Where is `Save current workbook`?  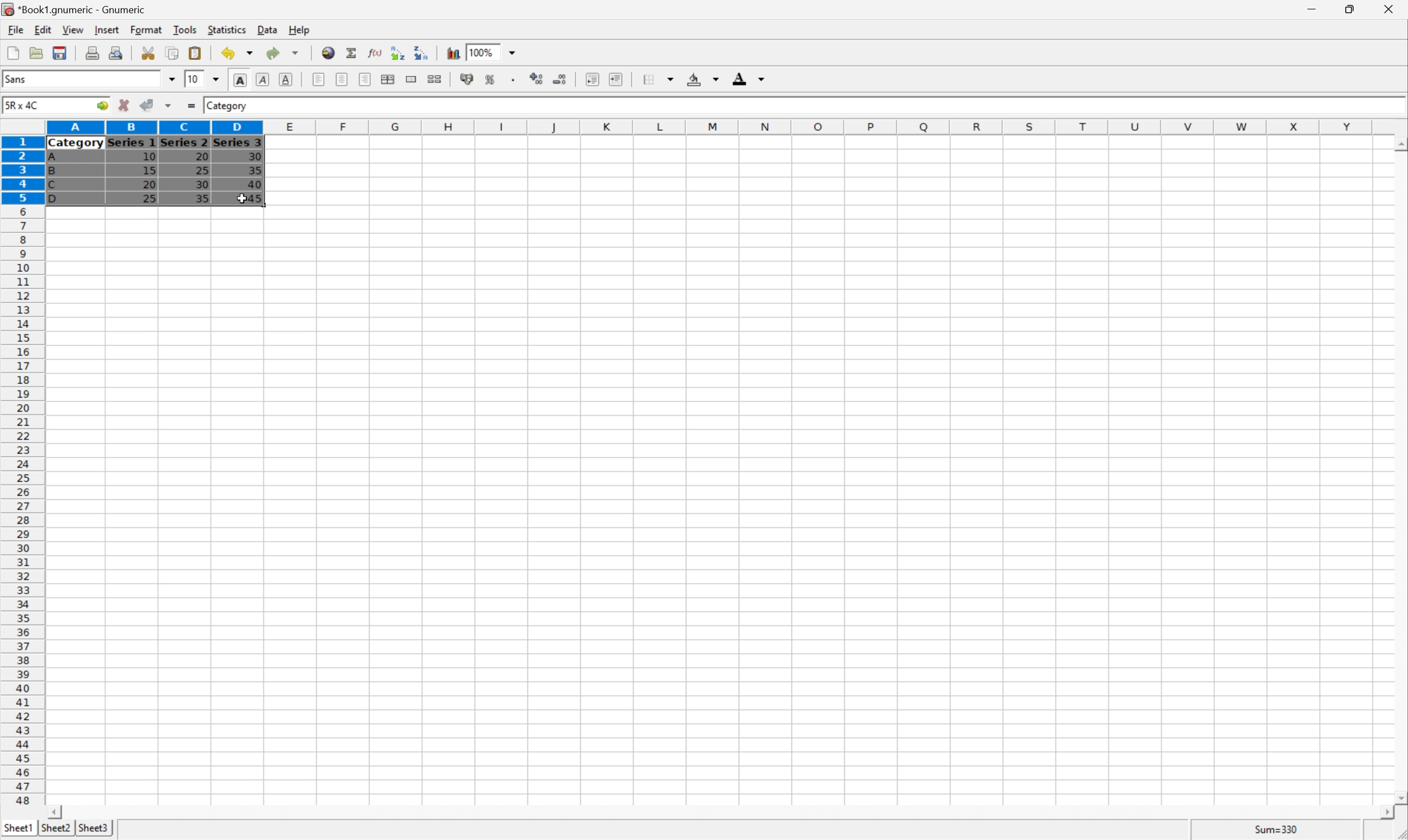
Save current workbook is located at coordinates (59, 52).